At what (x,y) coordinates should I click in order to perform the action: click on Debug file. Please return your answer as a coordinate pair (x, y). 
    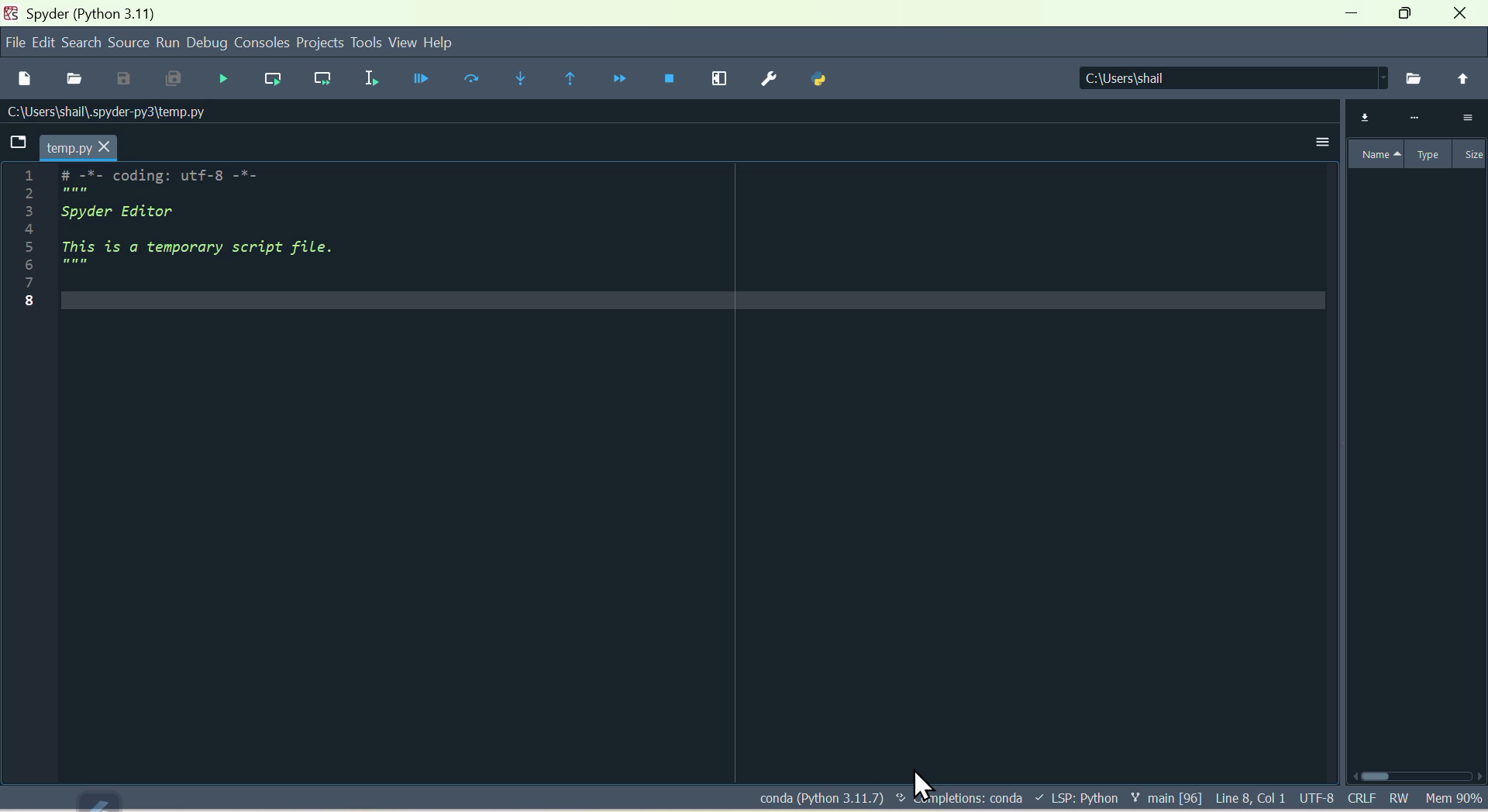
    Looking at the image, I should click on (222, 78).